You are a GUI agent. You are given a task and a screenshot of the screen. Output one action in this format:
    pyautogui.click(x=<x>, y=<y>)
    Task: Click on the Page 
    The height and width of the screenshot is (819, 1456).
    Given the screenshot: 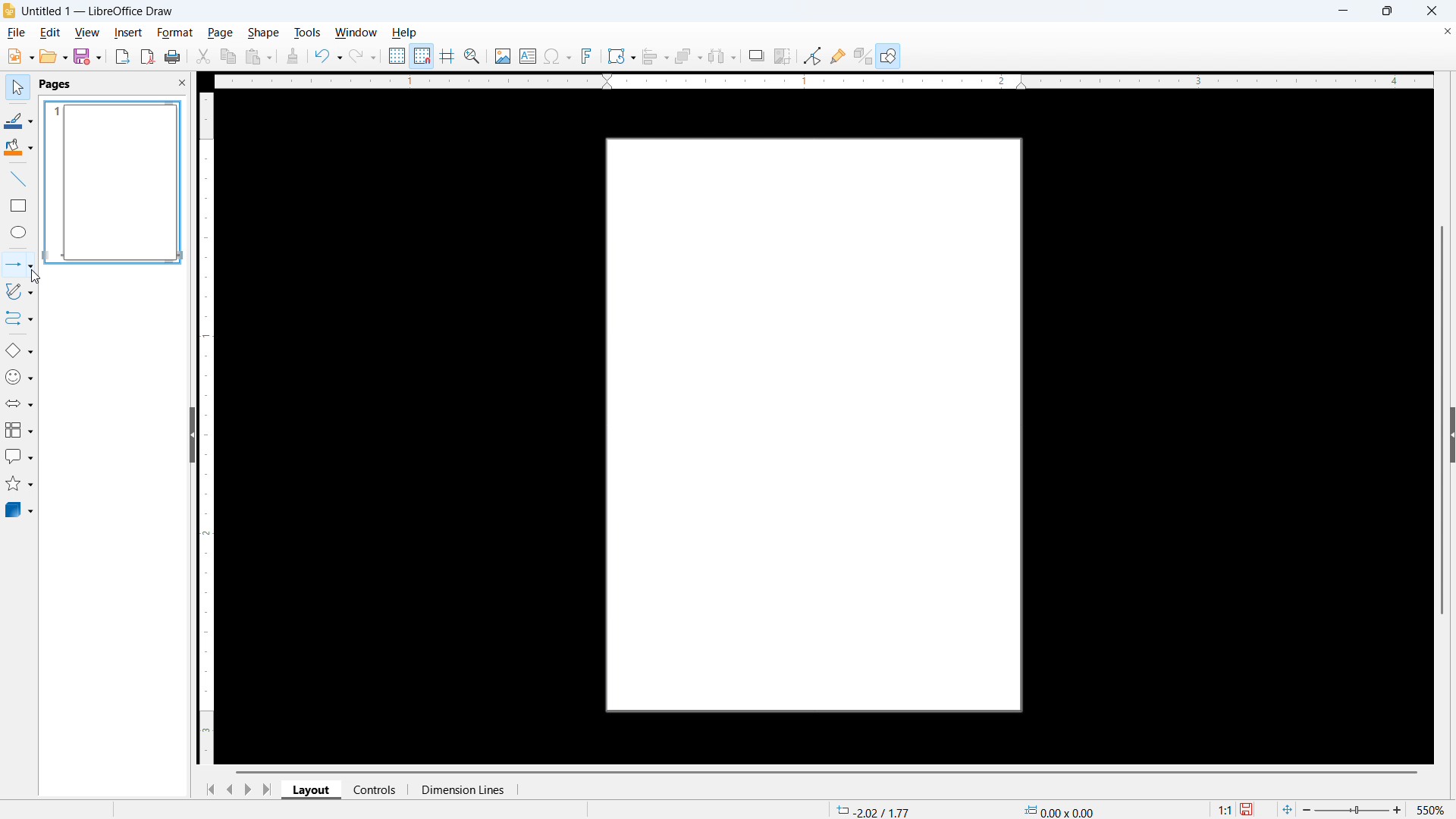 What is the action you would take?
    pyautogui.click(x=219, y=33)
    